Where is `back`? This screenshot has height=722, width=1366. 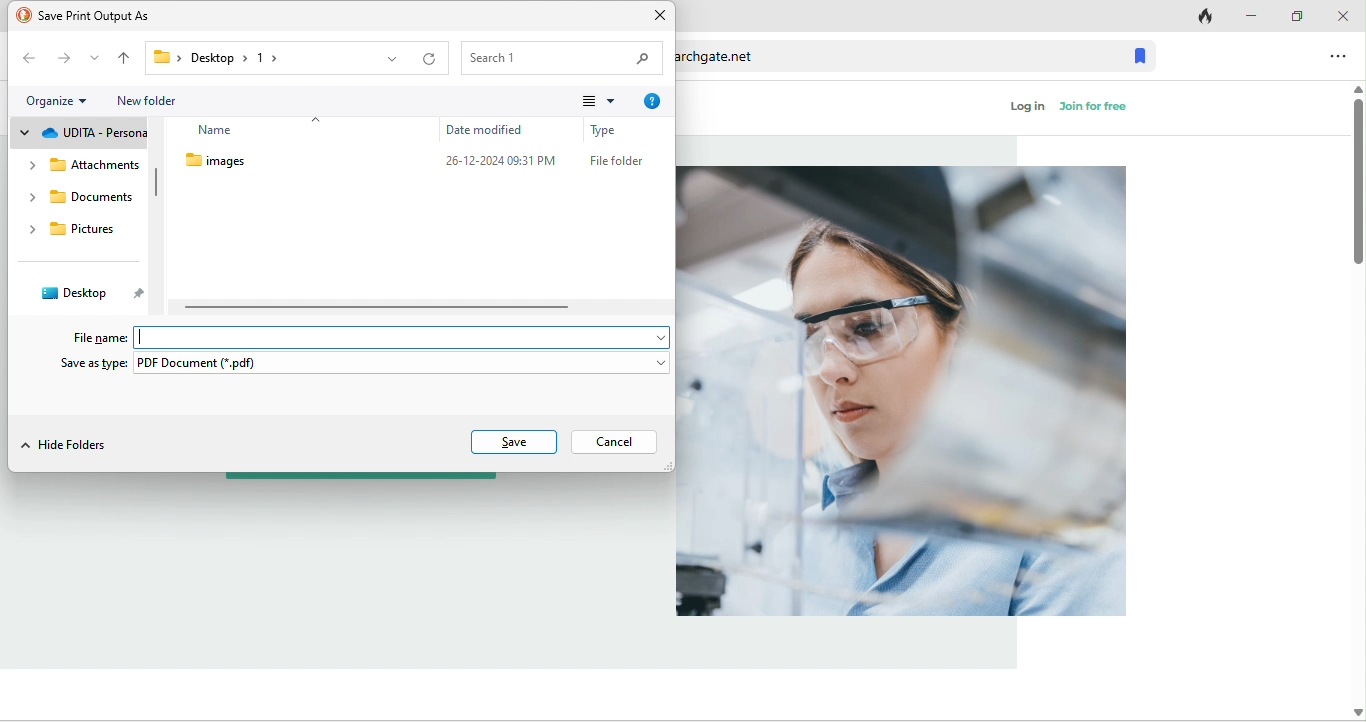 back is located at coordinates (27, 60).